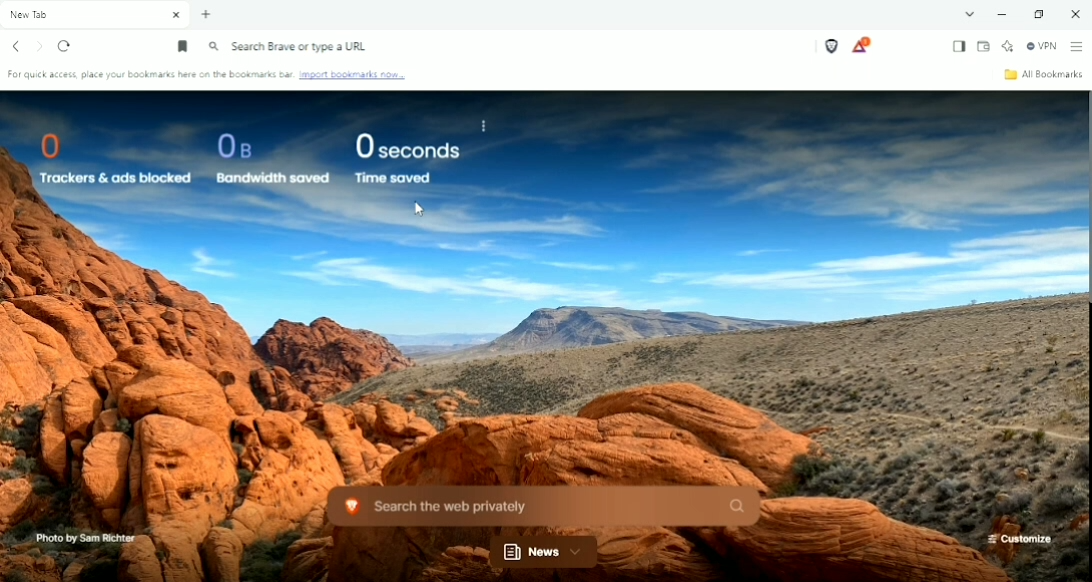 The height and width of the screenshot is (582, 1092). What do you see at coordinates (1076, 47) in the screenshot?
I see `Customize and Control Brave` at bounding box center [1076, 47].